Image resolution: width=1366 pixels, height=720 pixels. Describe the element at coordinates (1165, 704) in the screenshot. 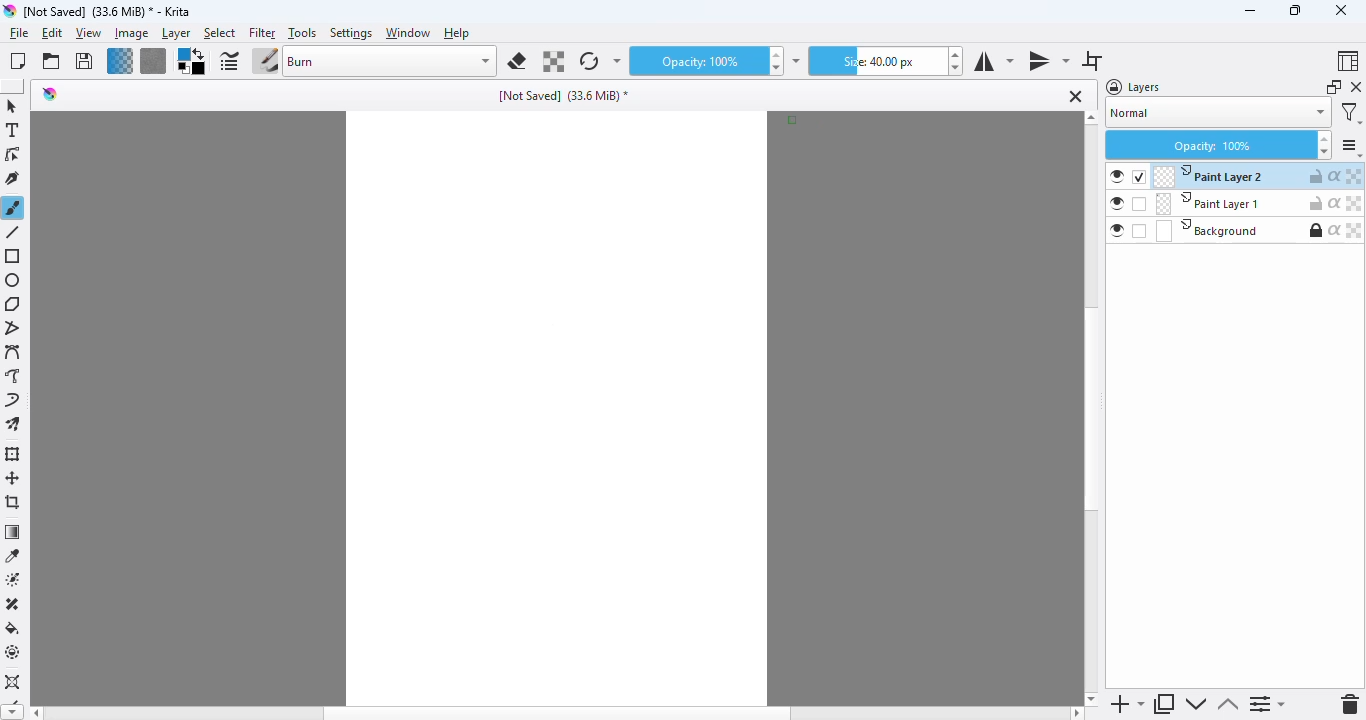

I see `duplicate layer or mask` at that location.